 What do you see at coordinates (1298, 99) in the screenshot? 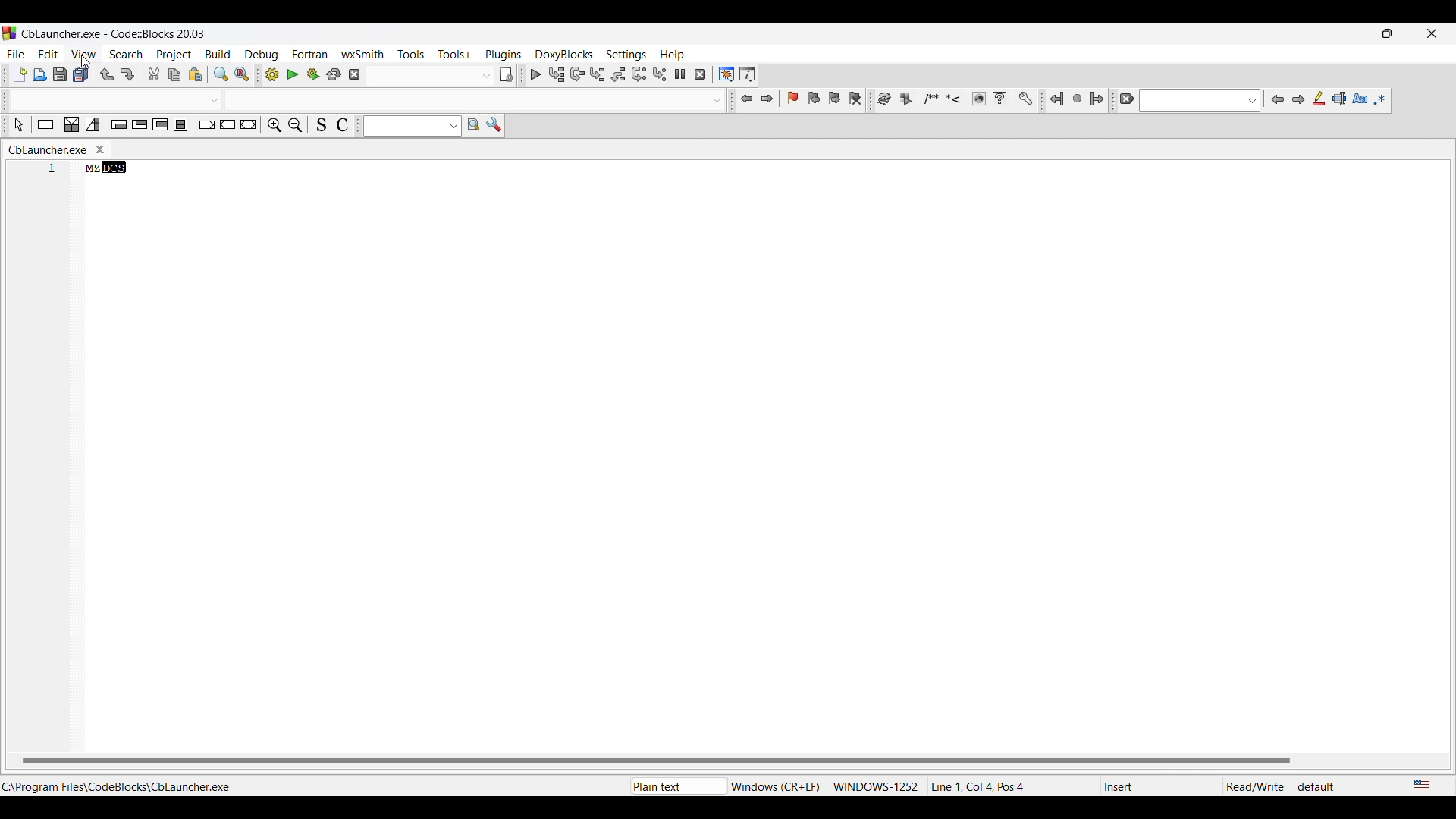
I see `Next` at bounding box center [1298, 99].